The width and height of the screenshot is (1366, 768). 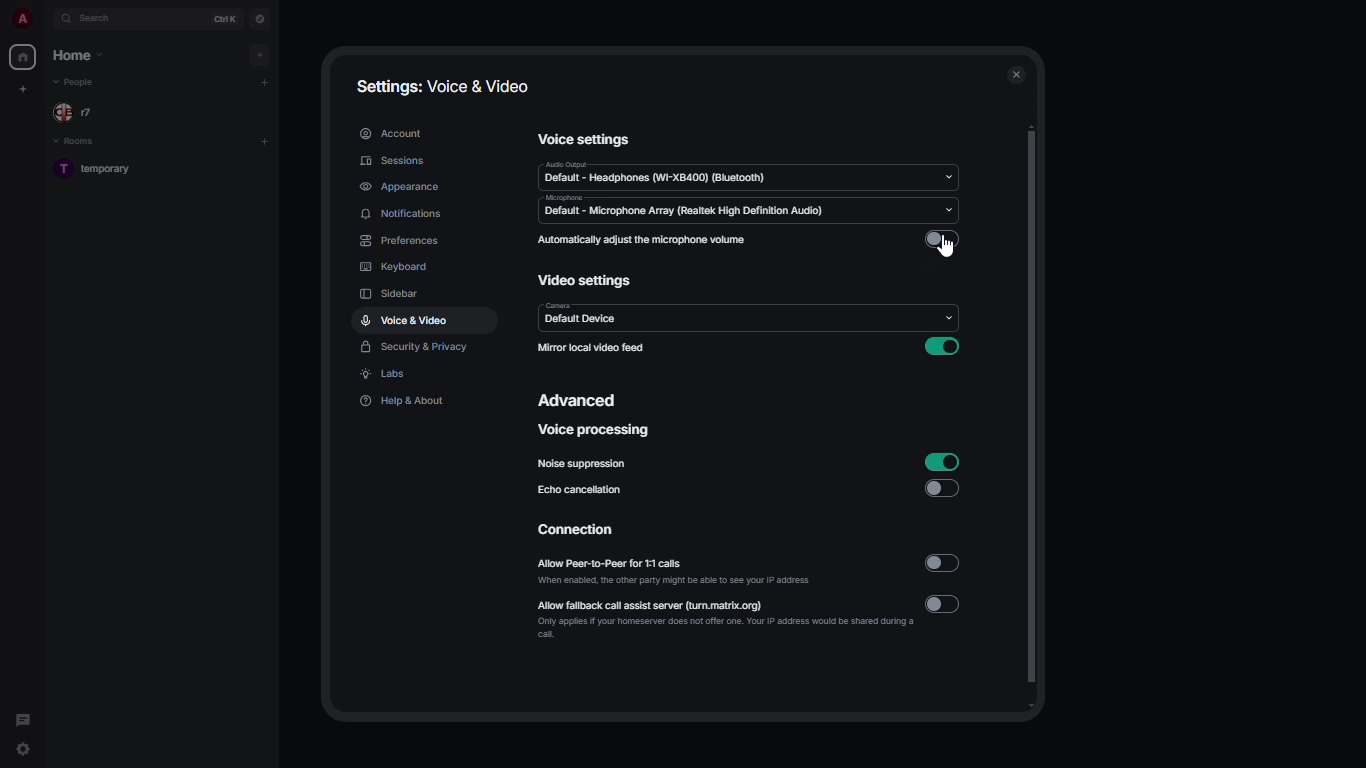 What do you see at coordinates (591, 349) in the screenshot?
I see `mirror local video feed` at bounding box center [591, 349].